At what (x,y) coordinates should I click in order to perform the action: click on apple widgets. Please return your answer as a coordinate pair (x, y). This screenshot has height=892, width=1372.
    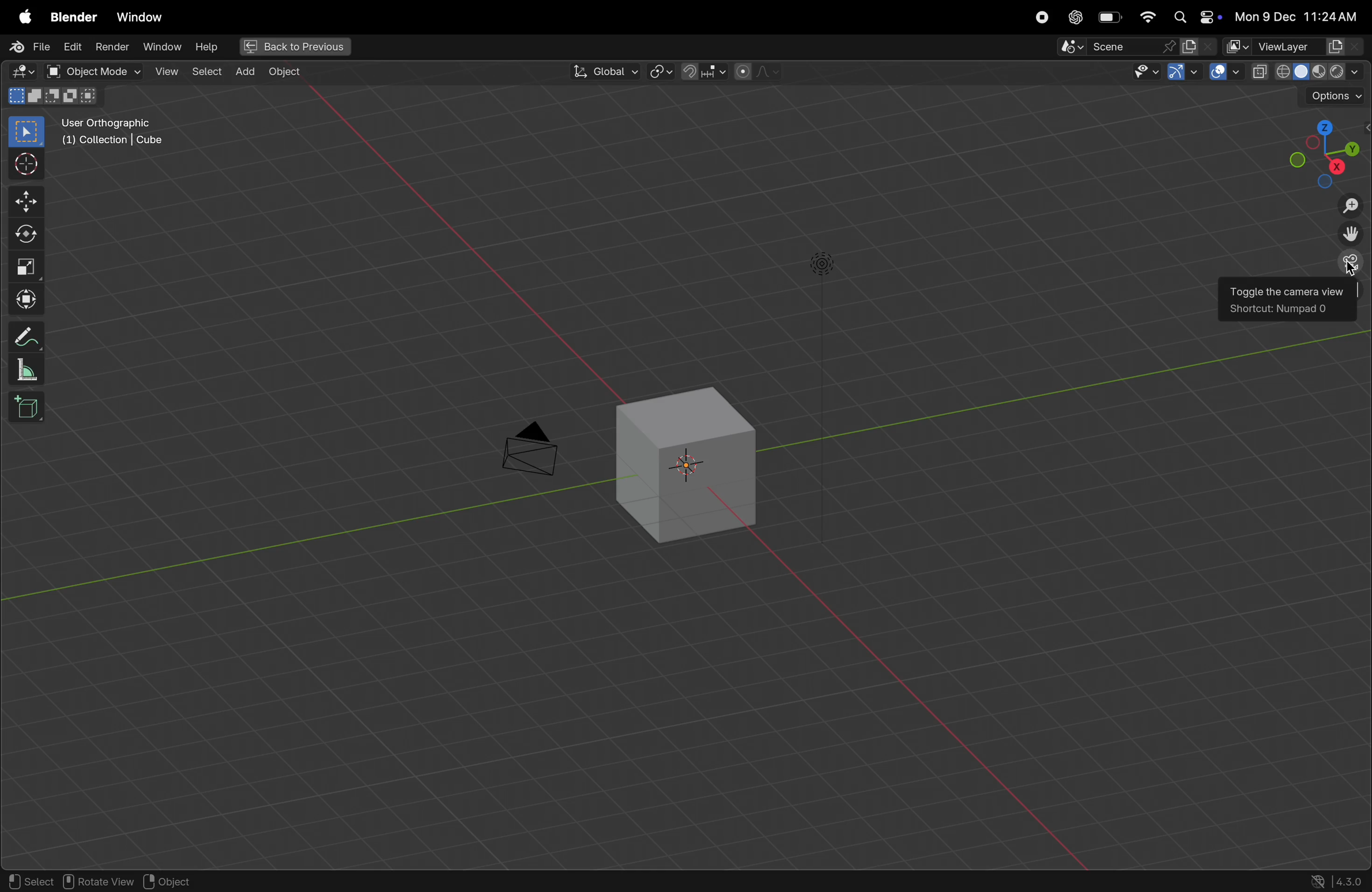
    Looking at the image, I should click on (1197, 17).